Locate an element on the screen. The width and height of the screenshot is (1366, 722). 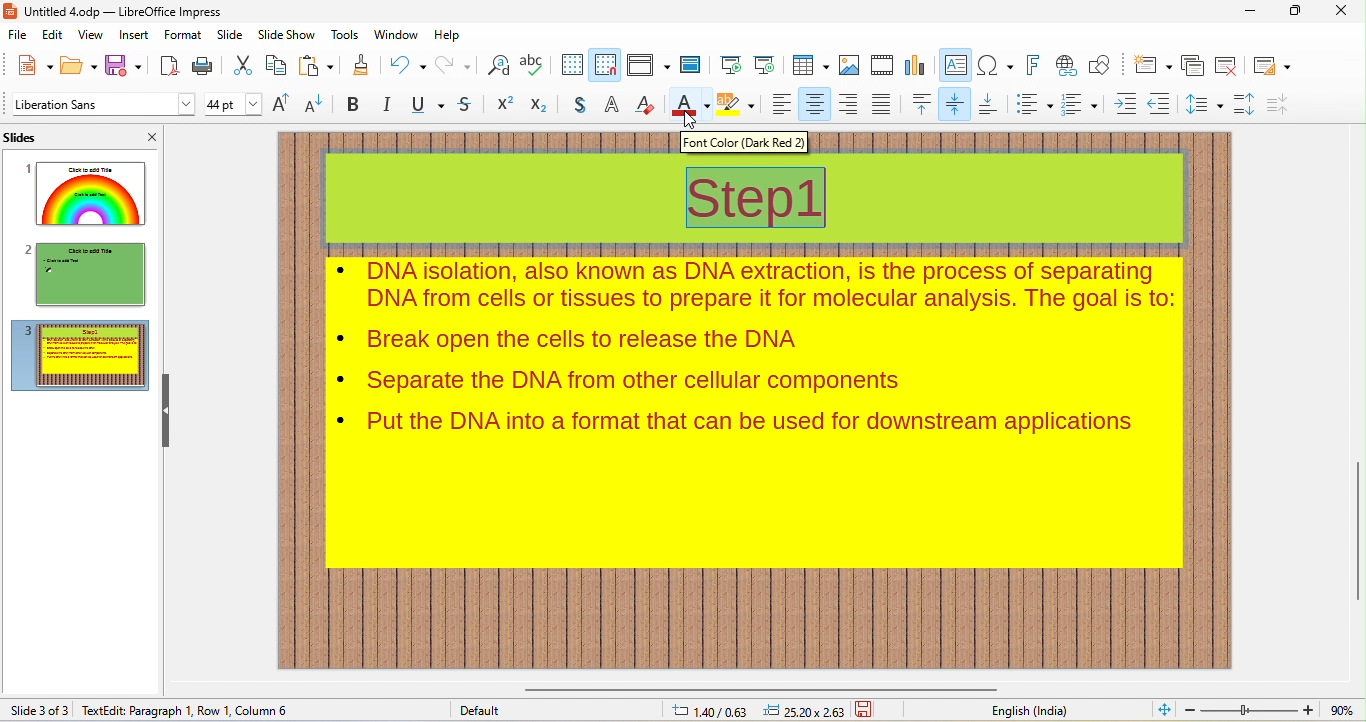
start from beginning is located at coordinates (728, 63).